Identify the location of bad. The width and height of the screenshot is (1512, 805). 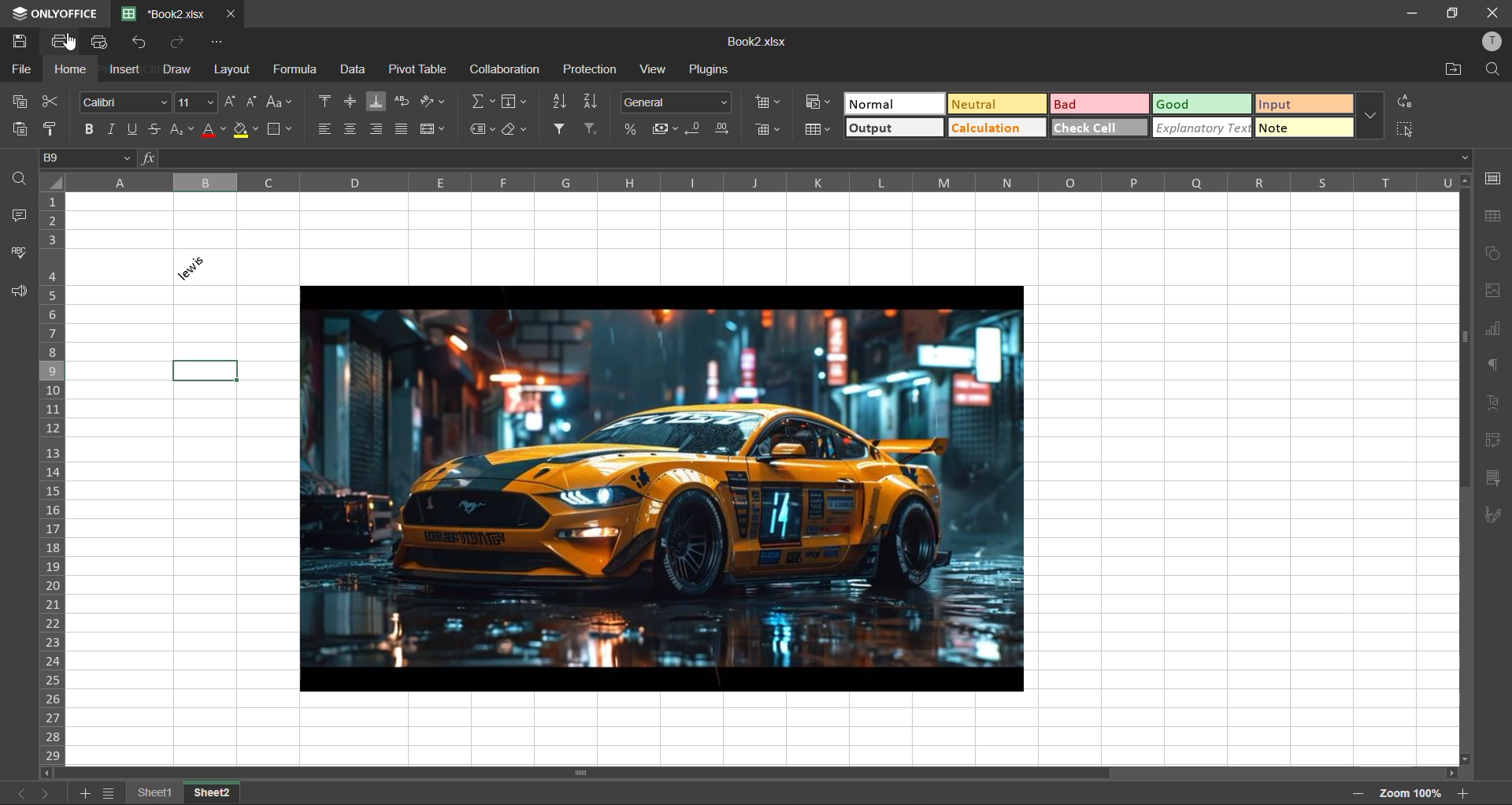
(1098, 103).